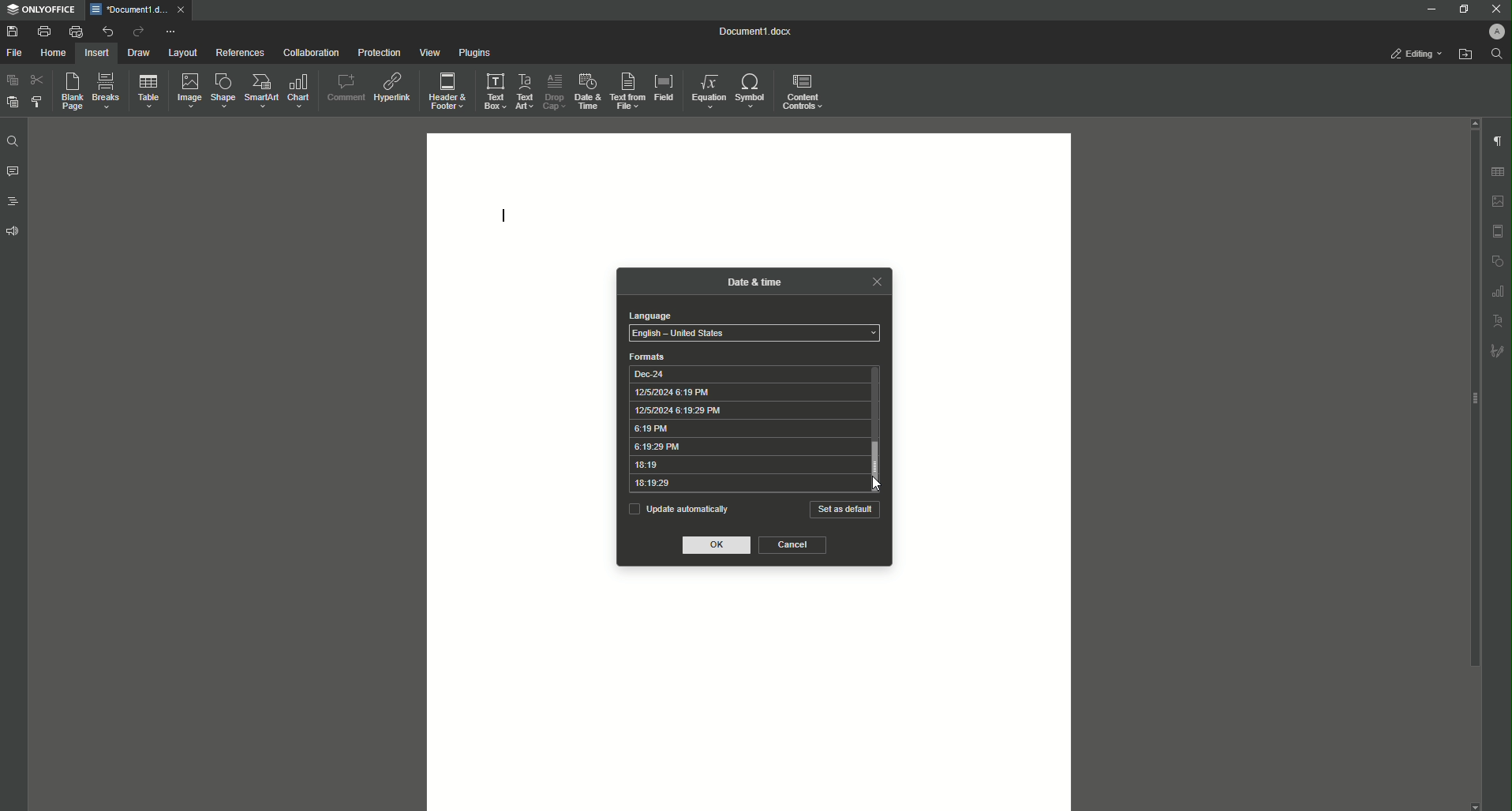 The image size is (1512, 811). Describe the element at coordinates (494, 90) in the screenshot. I see `Text Box` at that location.